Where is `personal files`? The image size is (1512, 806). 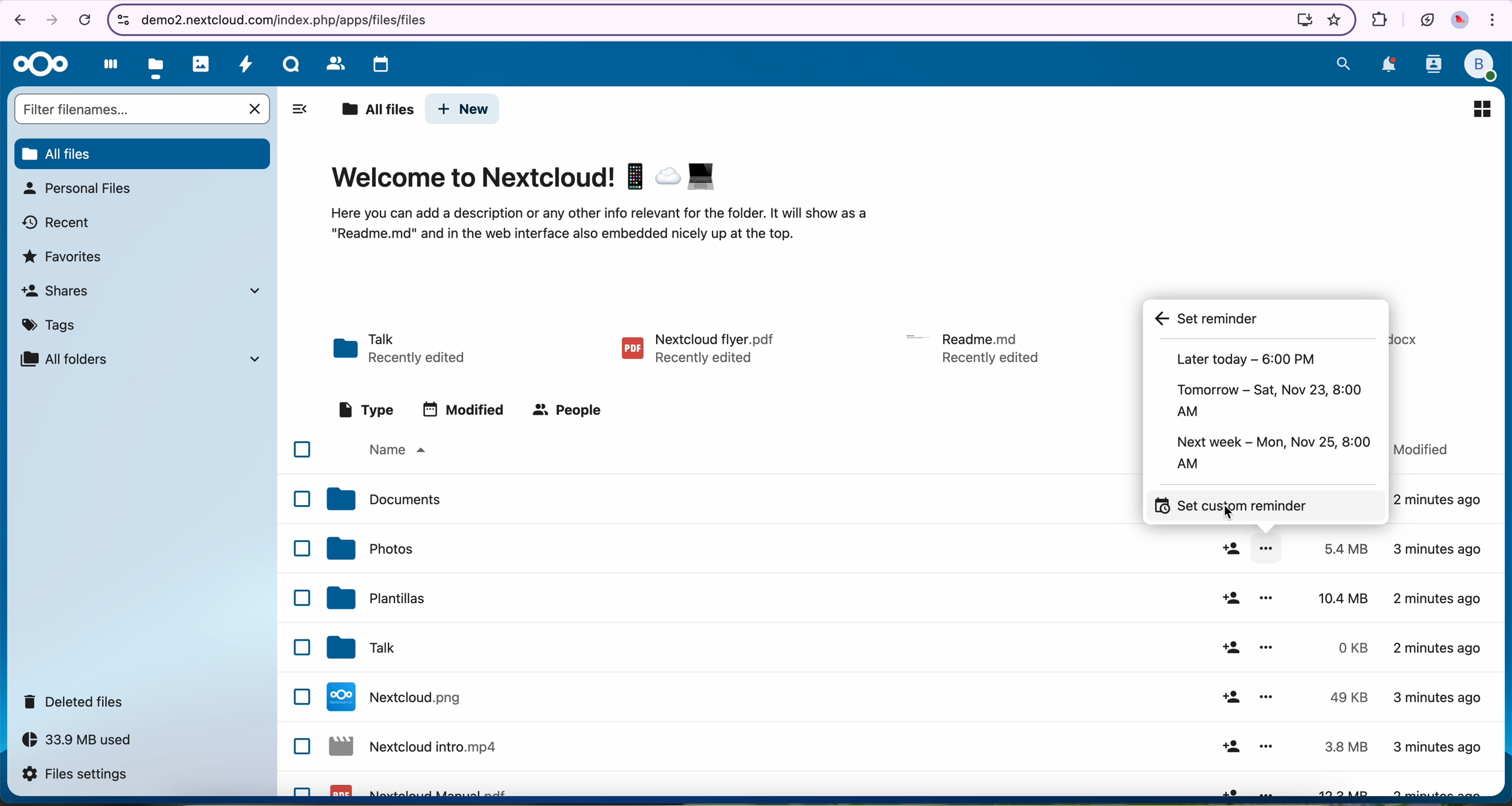 personal files is located at coordinates (82, 190).